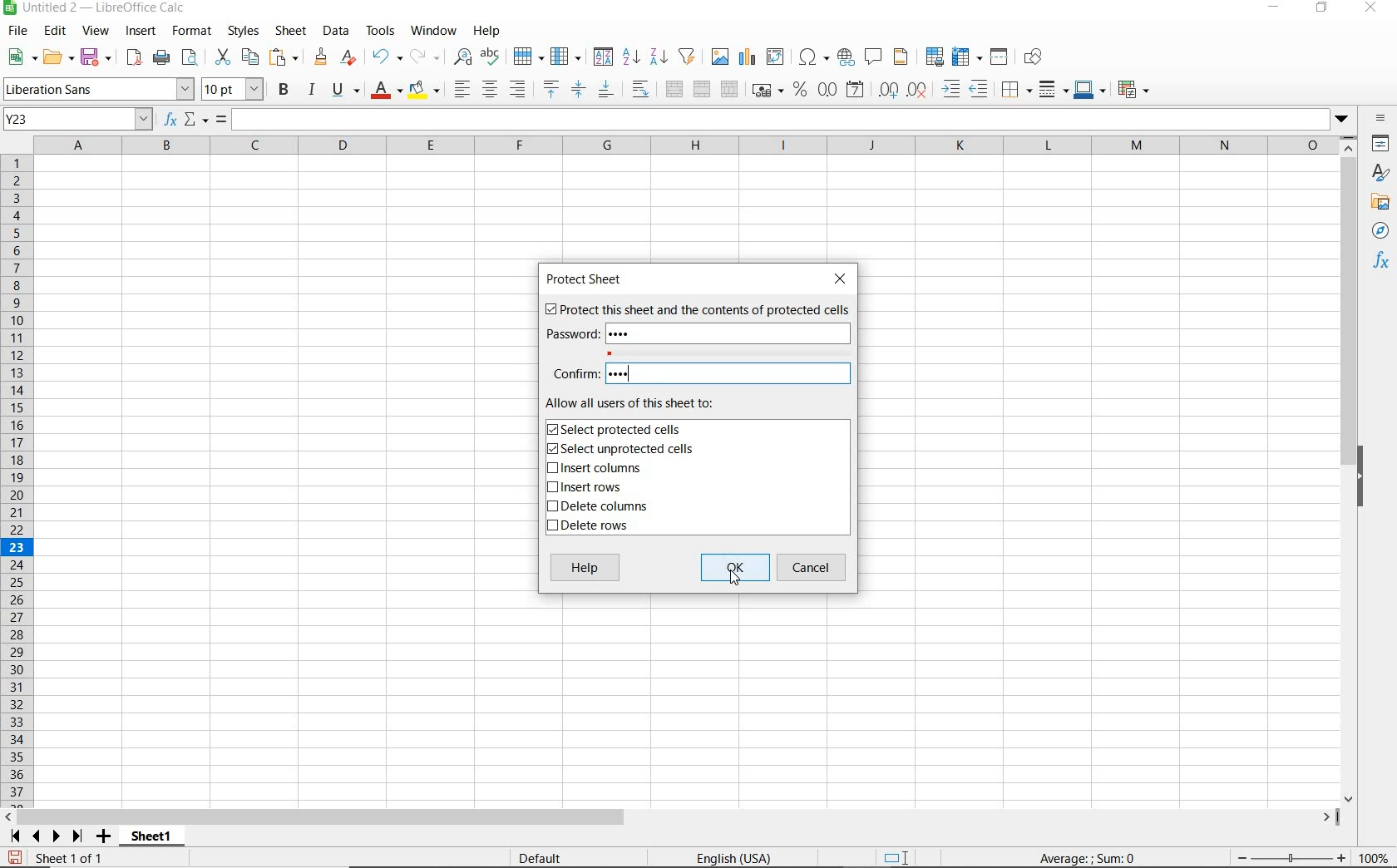 Image resolution: width=1397 pixels, height=868 pixels. Describe the element at coordinates (604, 57) in the screenshot. I see `SORTS` at that location.